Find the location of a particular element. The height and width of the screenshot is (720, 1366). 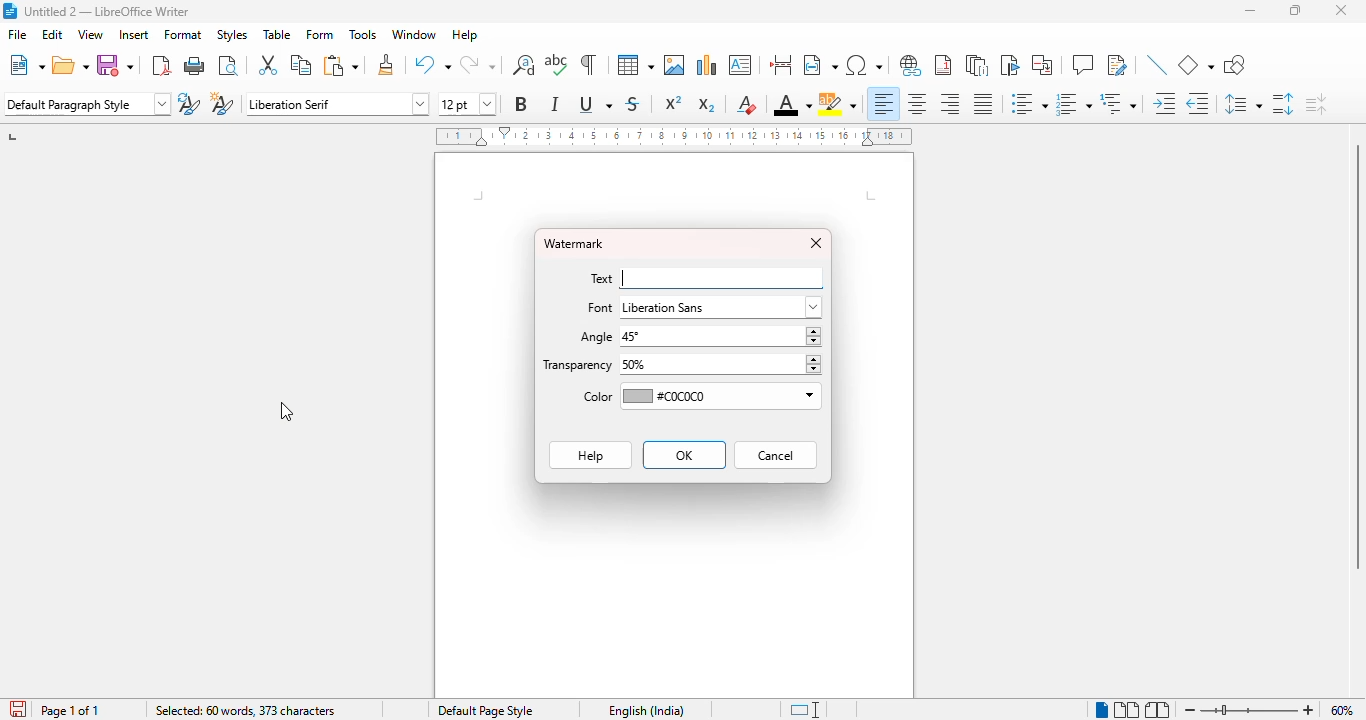

superscript is located at coordinates (673, 102).